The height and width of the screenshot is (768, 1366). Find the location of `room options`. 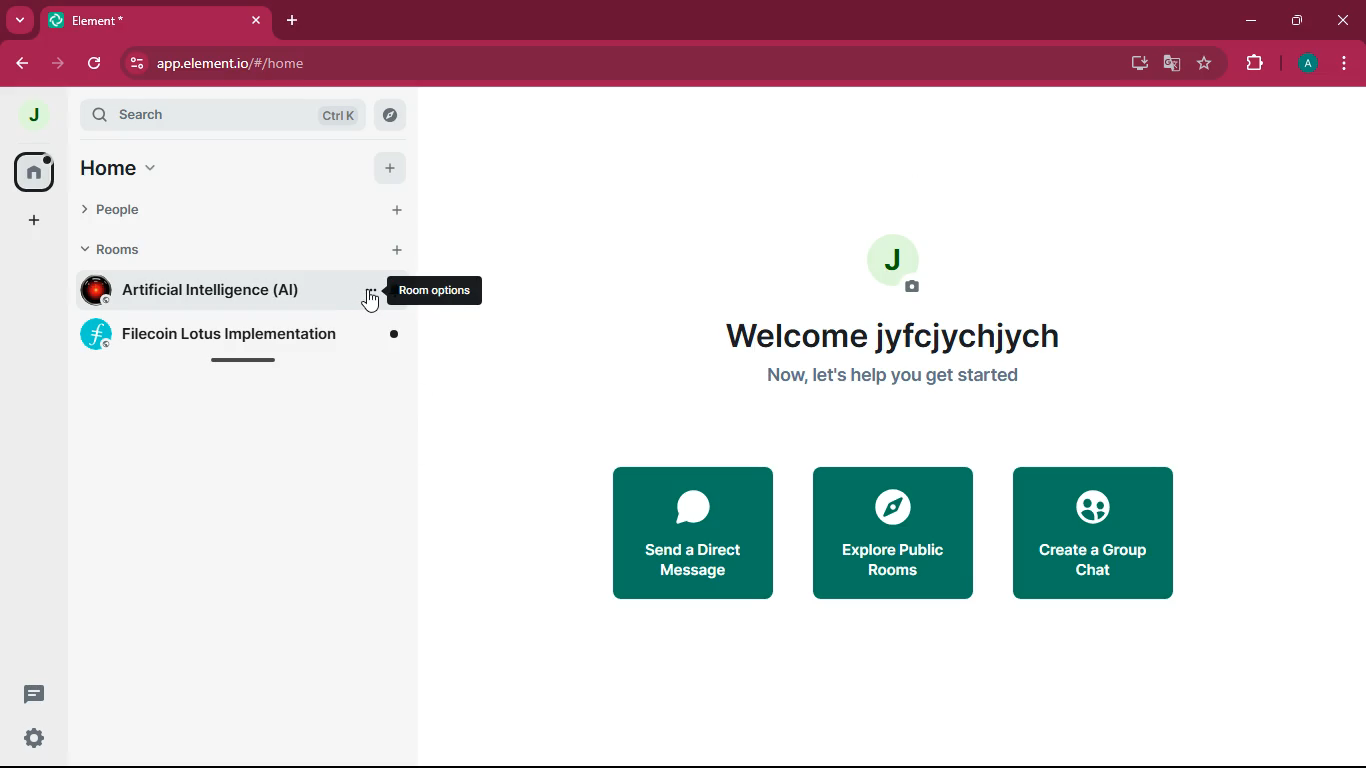

room options is located at coordinates (436, 292).